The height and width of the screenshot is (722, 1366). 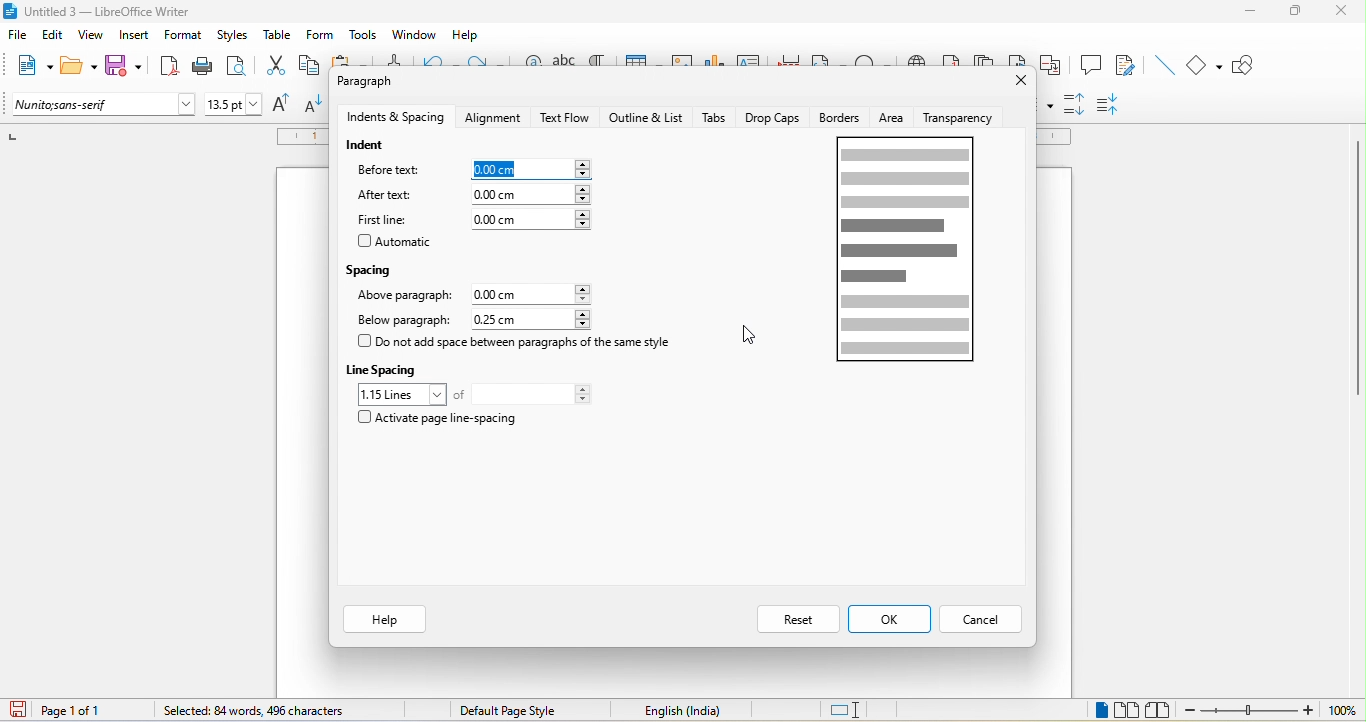 What do you see at coordinates (1250, 65) in the screenshot?
I see `show draw function` at bounding box center [1250, 65].